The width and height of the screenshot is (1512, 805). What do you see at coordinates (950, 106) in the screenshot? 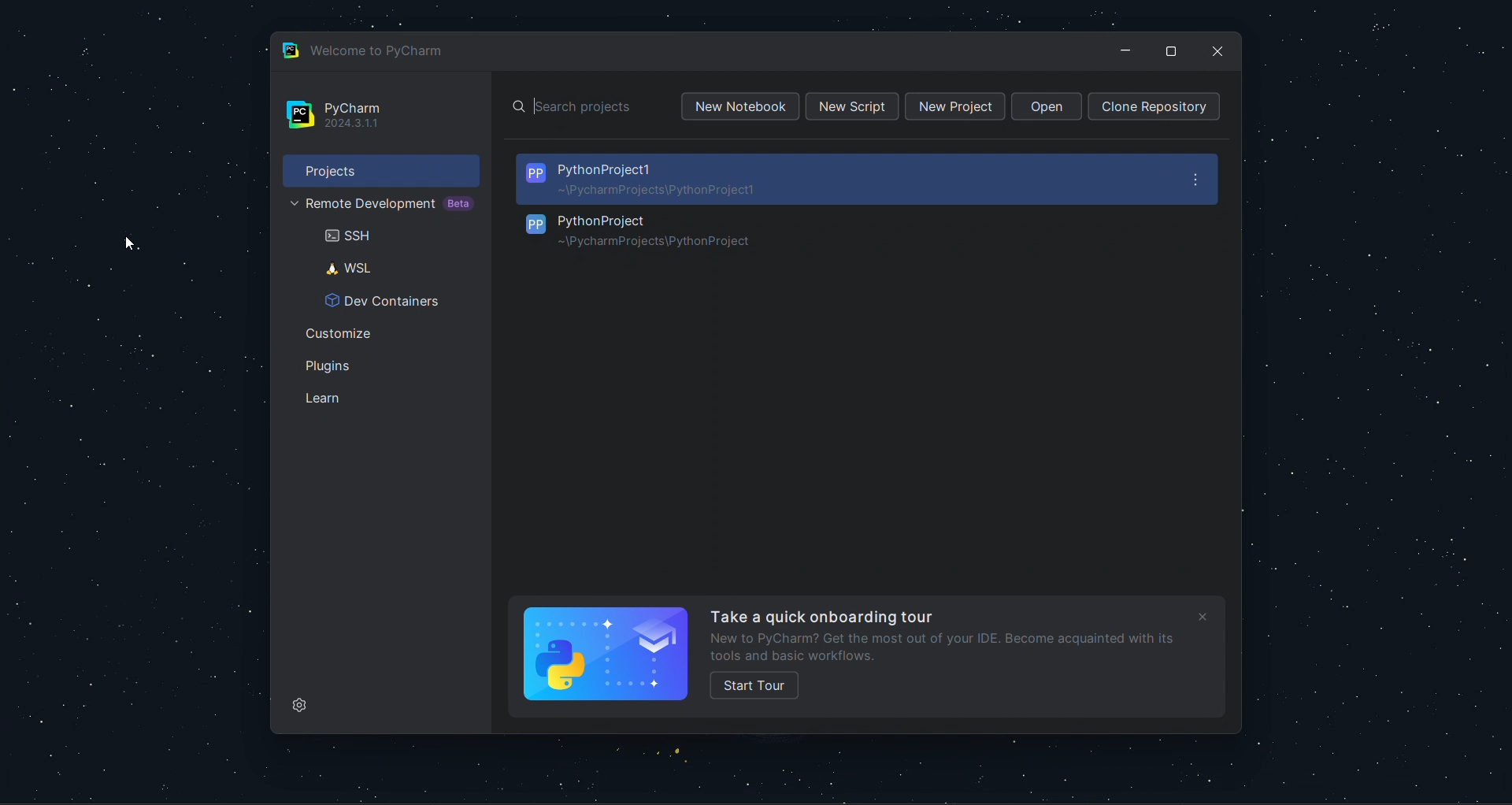
I see `new project` at bounding box center [950, 106].